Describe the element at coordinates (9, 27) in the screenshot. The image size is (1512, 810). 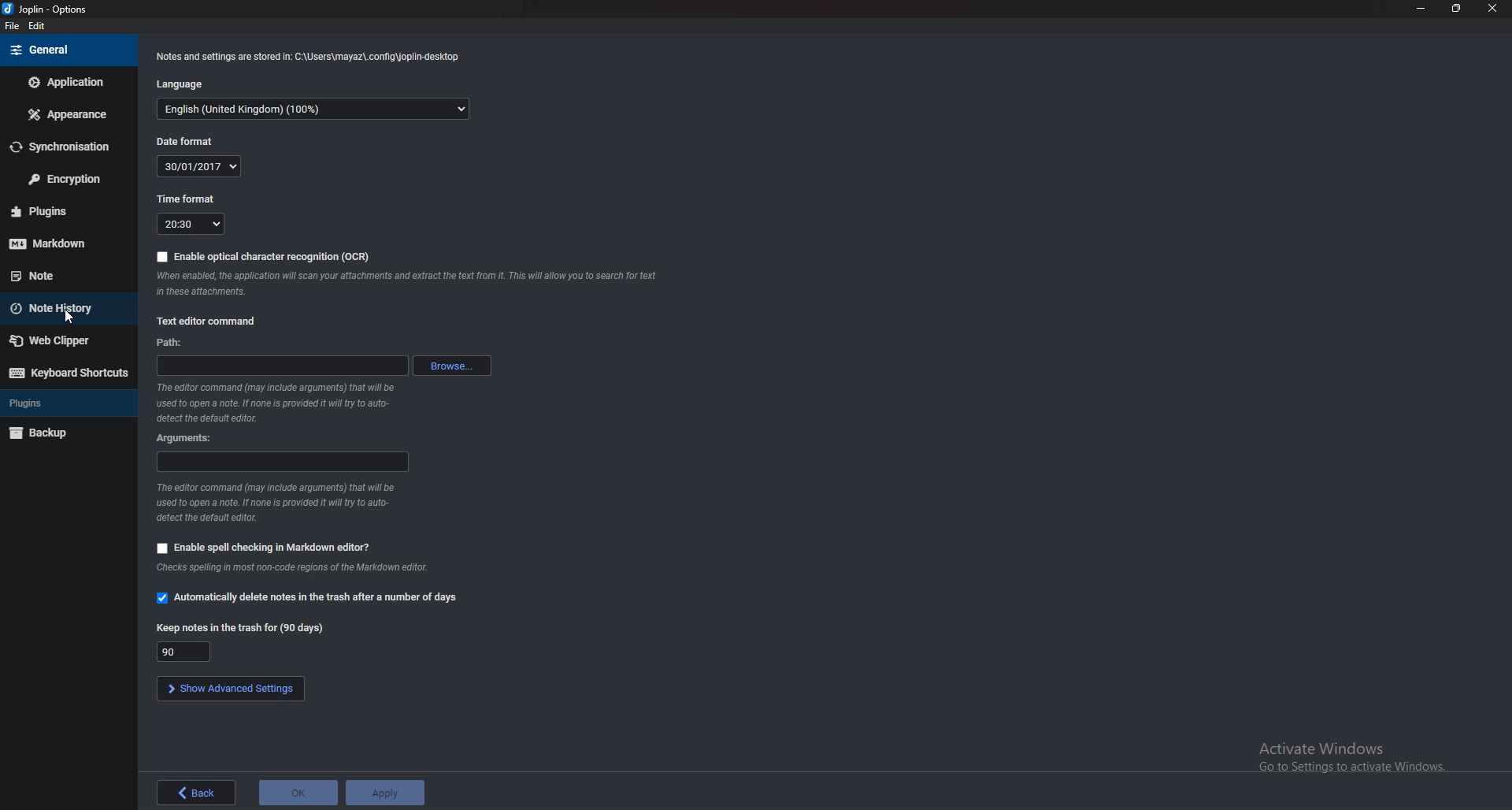
I see `file` at that location.